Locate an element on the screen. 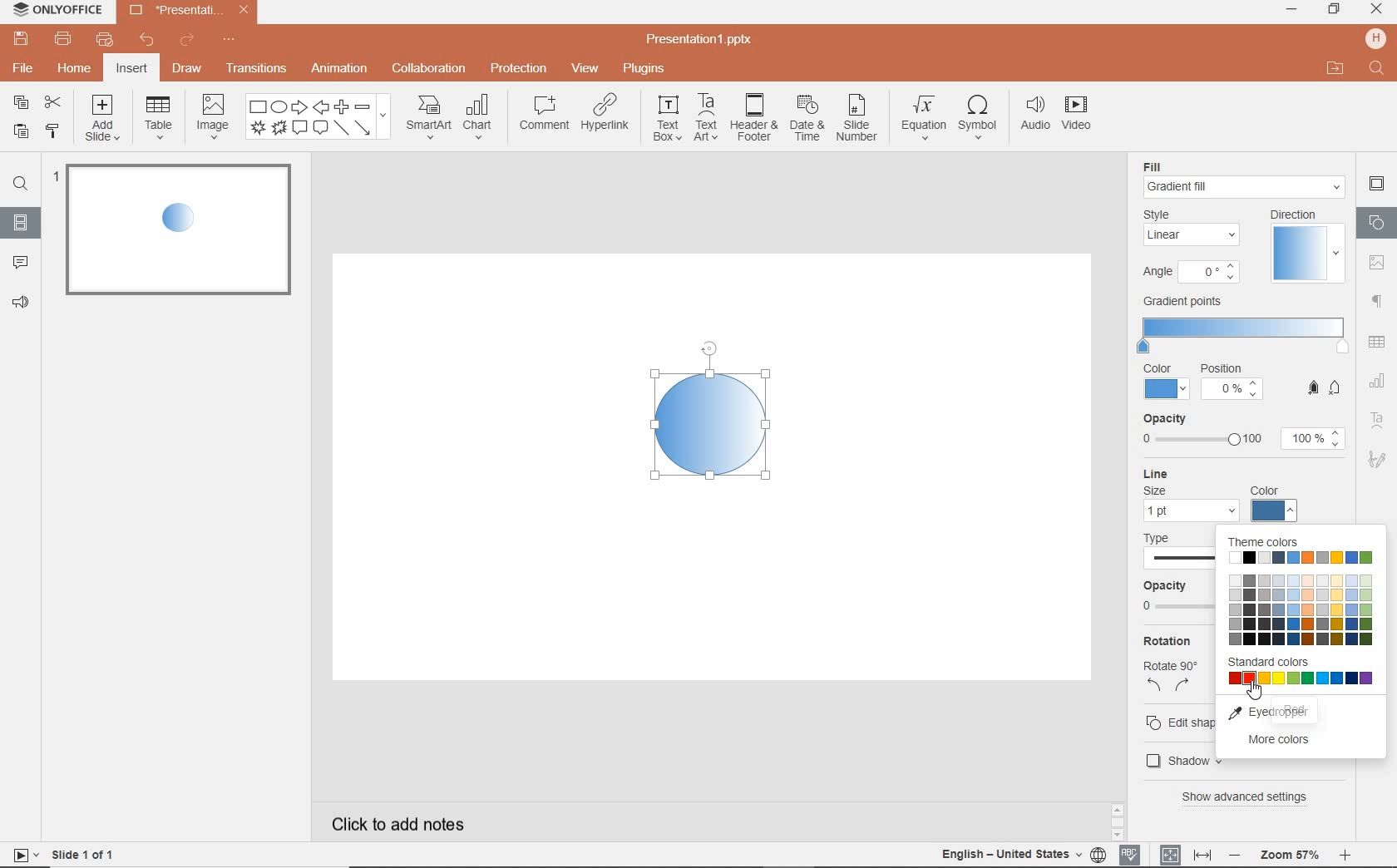 Image resolution: width=1397 pixels, height=868 pixels. gradient added is located at coordinates (710, 423).